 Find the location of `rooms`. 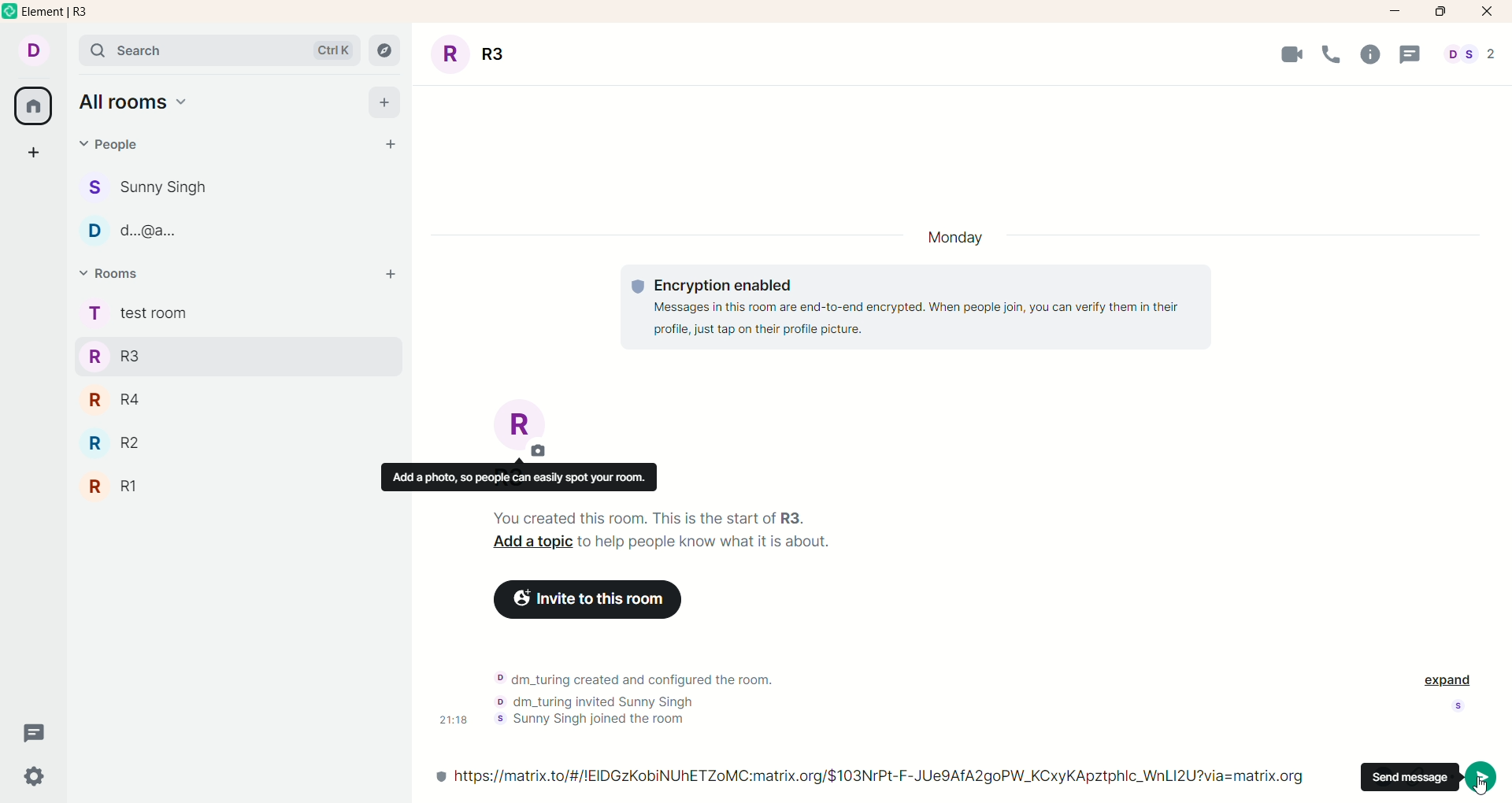

rooms is located at coordinates (112, 276).